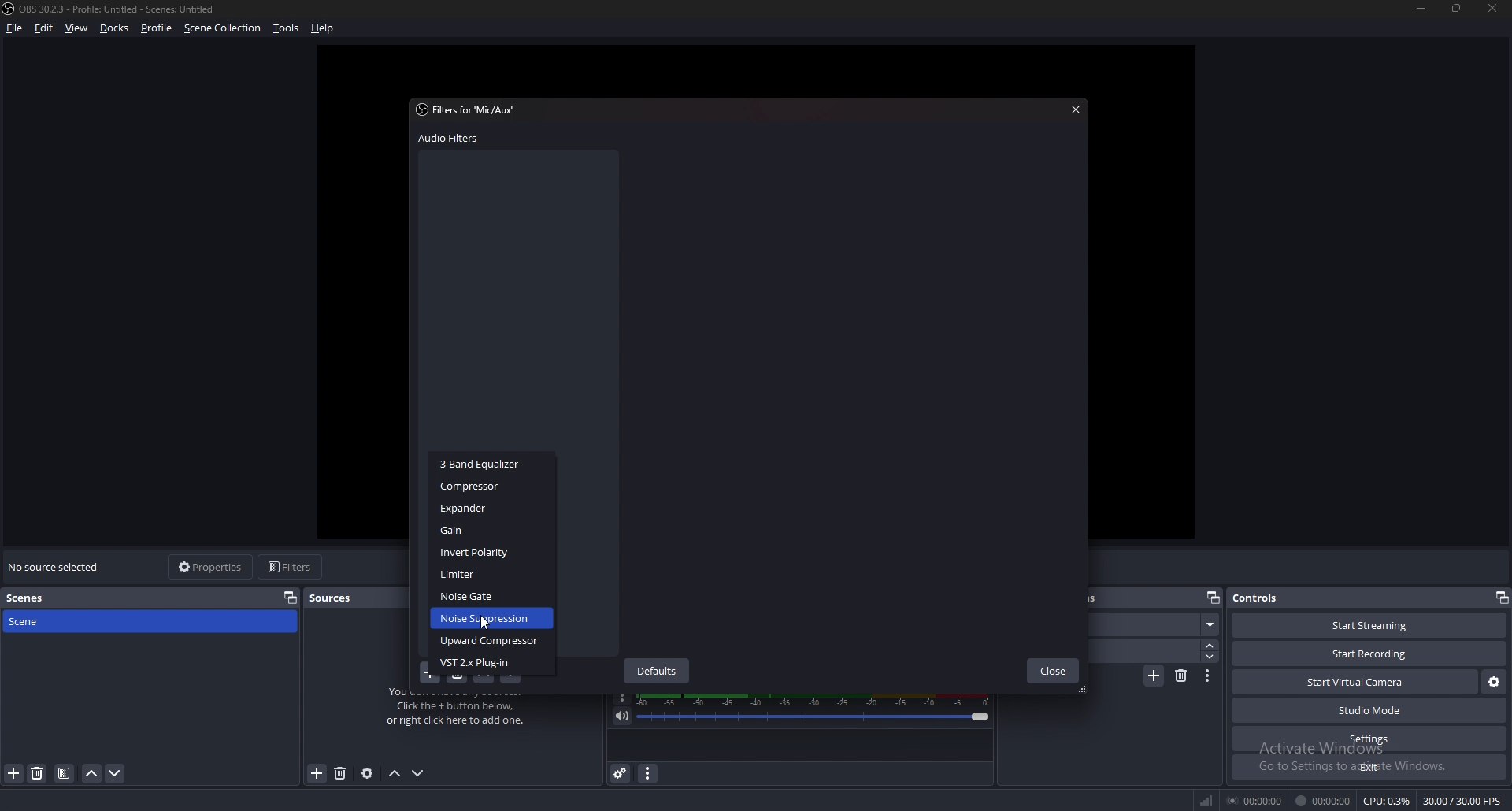 The height and width of the screenshot is (811, 1512). I want to click on start virtual camera, so click(1358, 682).